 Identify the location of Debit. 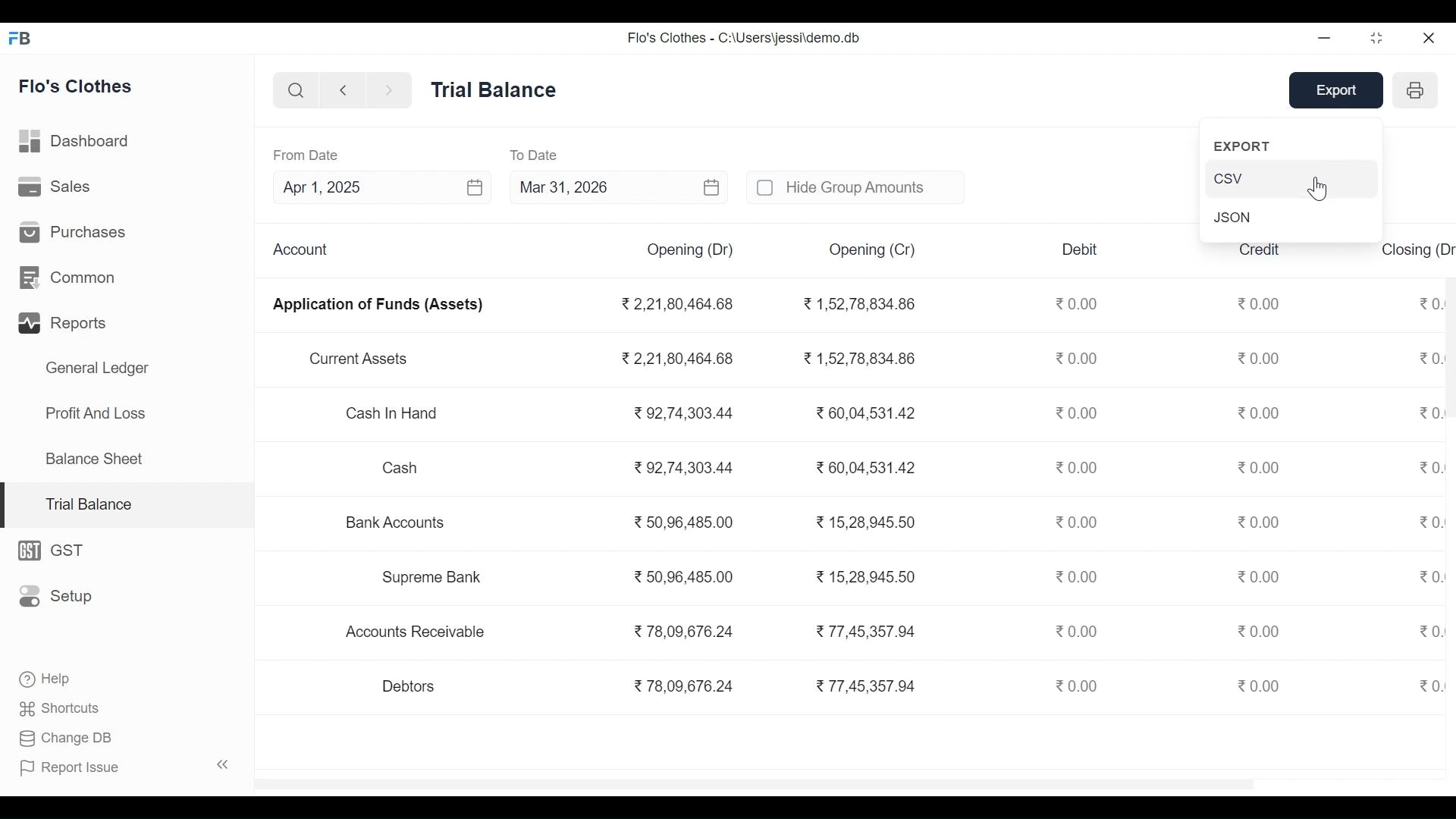
(1081, 249).